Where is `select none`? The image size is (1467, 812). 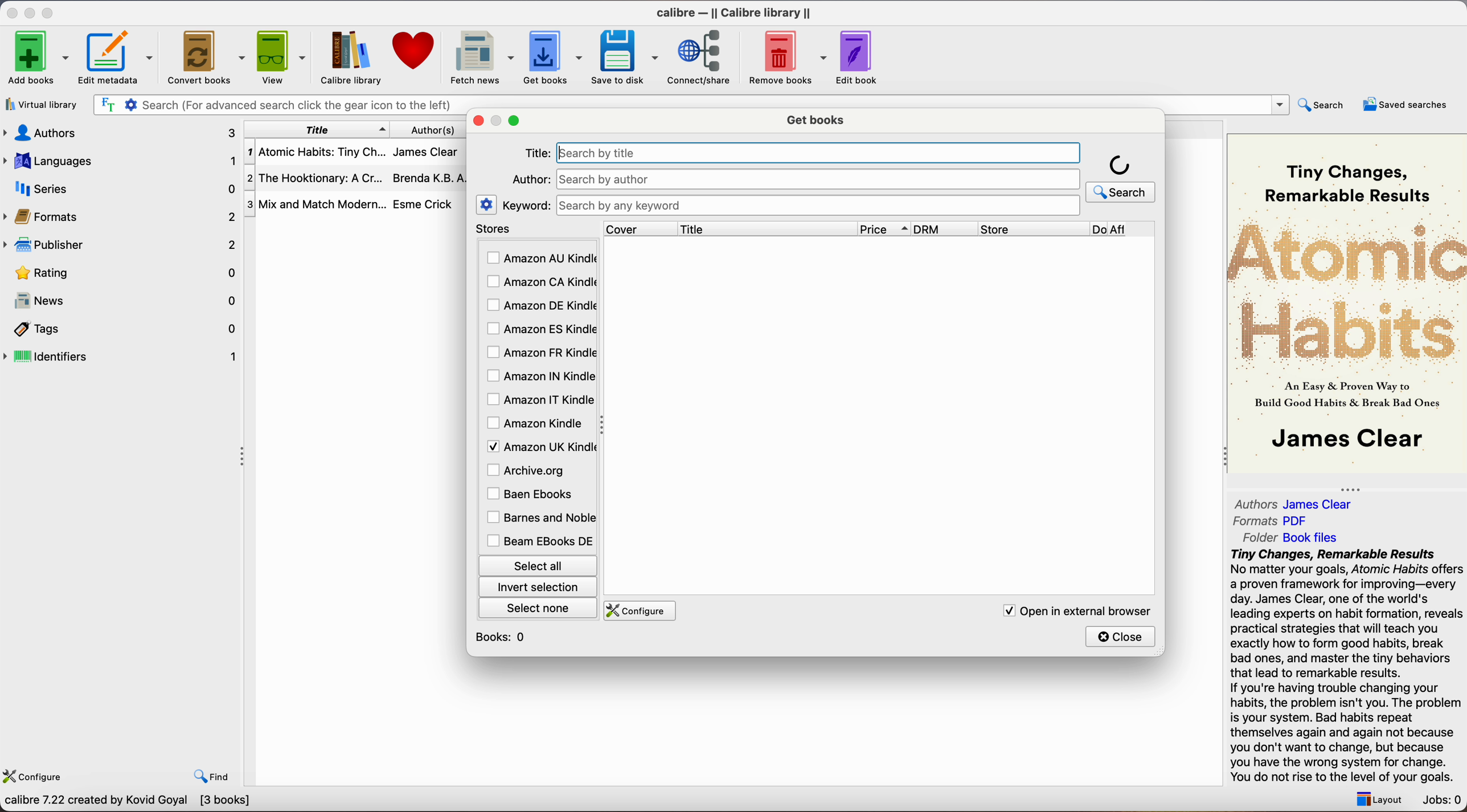
select none is located at coordinates (539, 607).